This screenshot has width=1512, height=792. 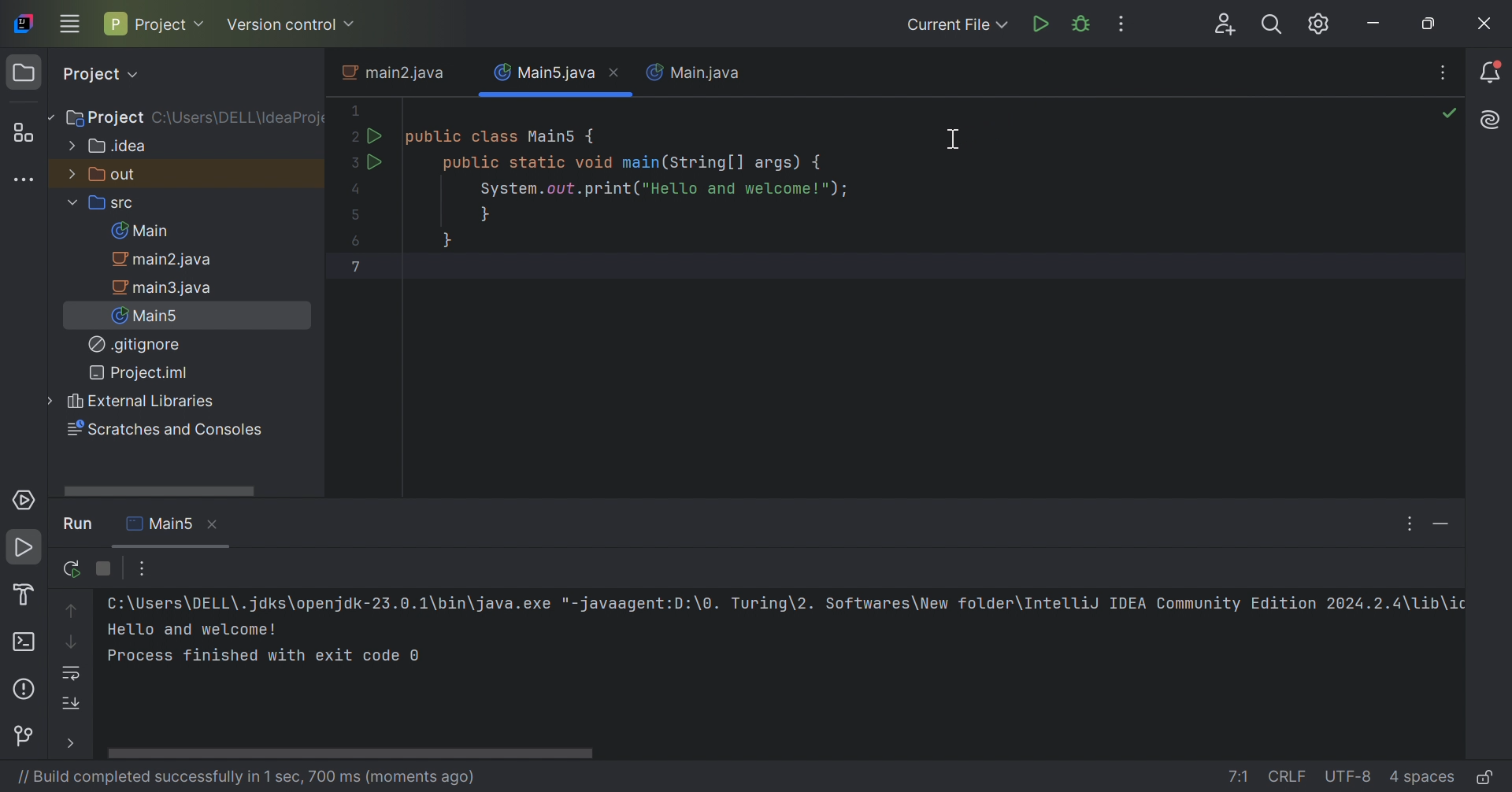 What do you see at coordinates (26, 550) in the screenshot?
I see `Run` at bounding box center [26, 550].